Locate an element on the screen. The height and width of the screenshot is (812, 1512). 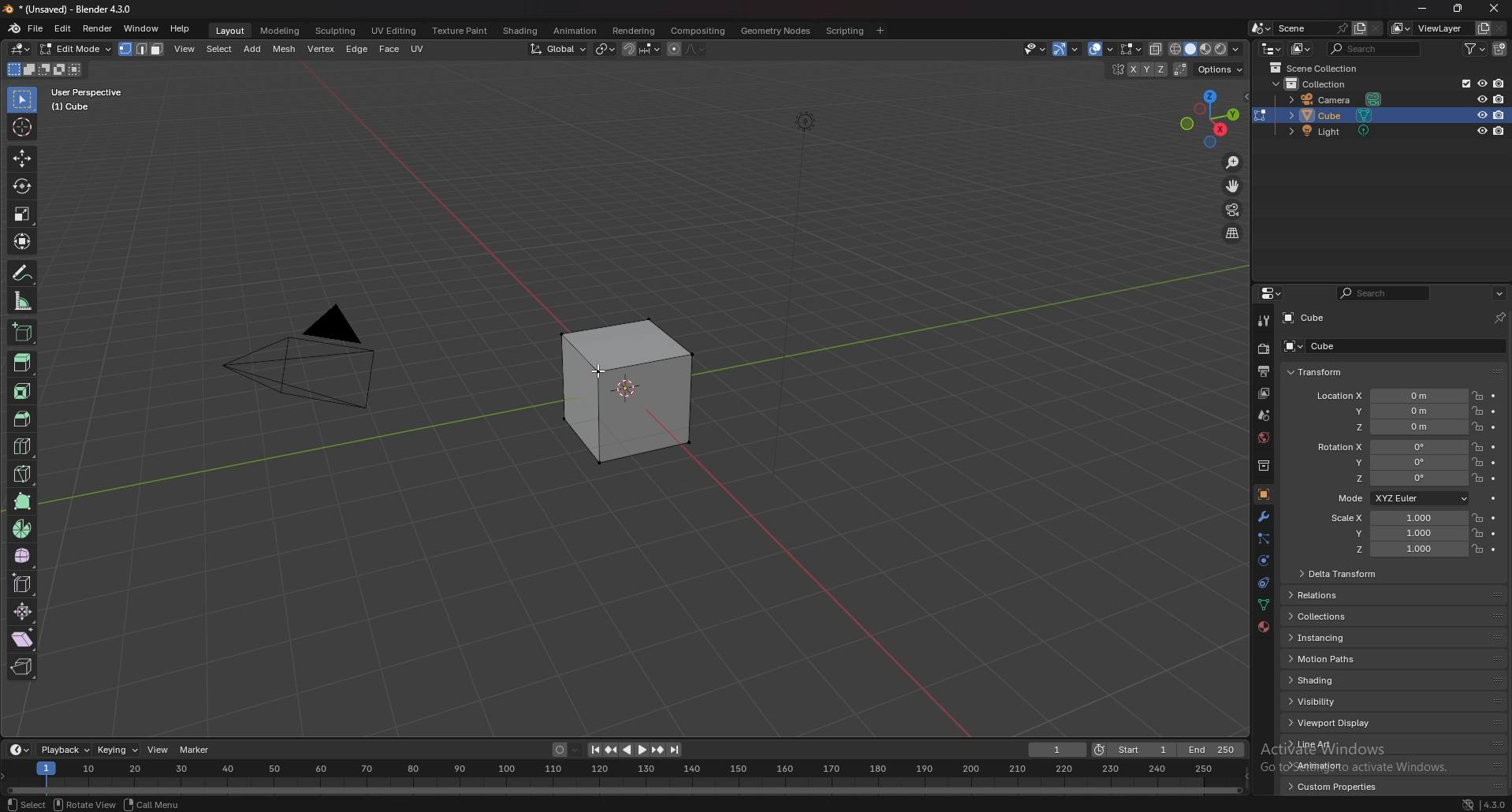
view layer is located at coordinates (1263, 395).